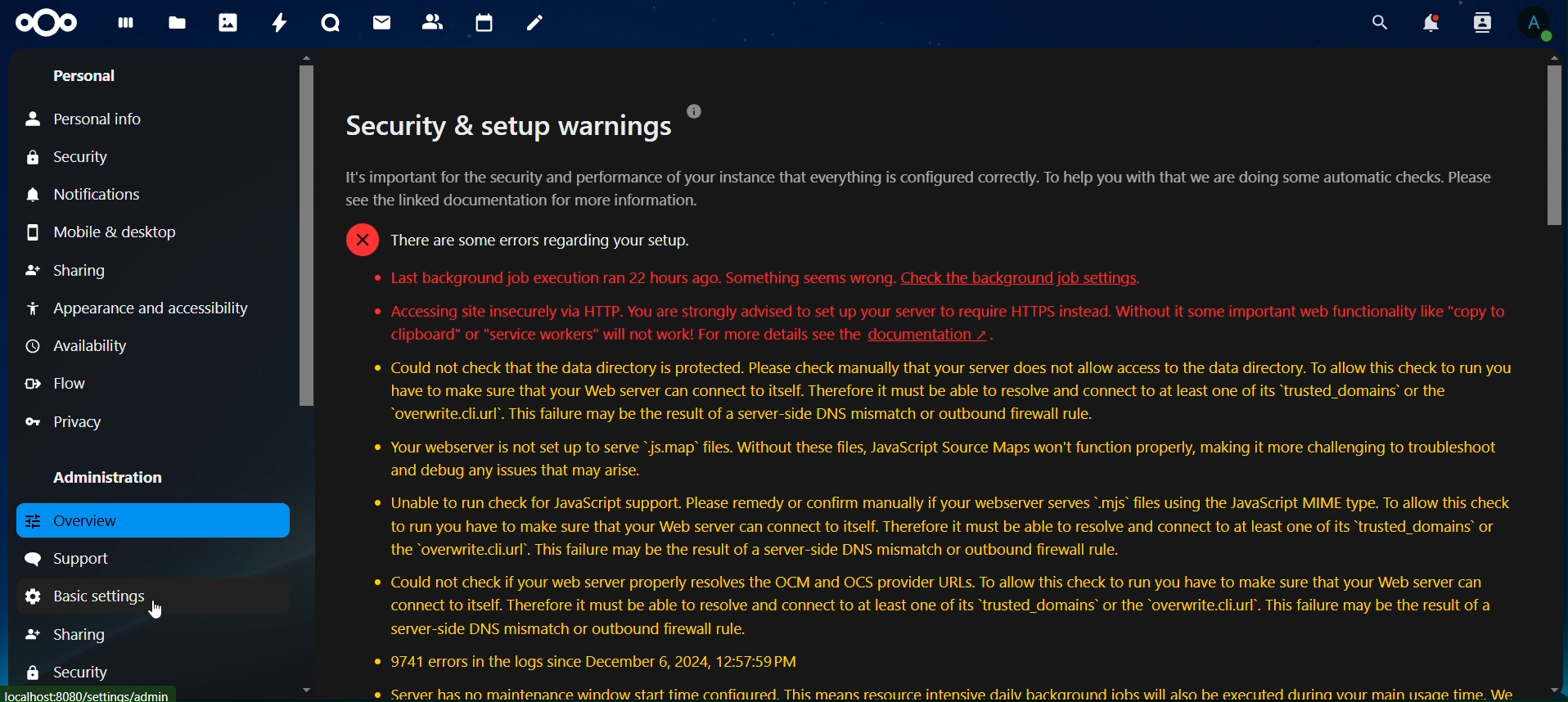  What do you see at coordinates (228, 23) in the screenshot?
I see `photos` at bounding box center [228, 23].